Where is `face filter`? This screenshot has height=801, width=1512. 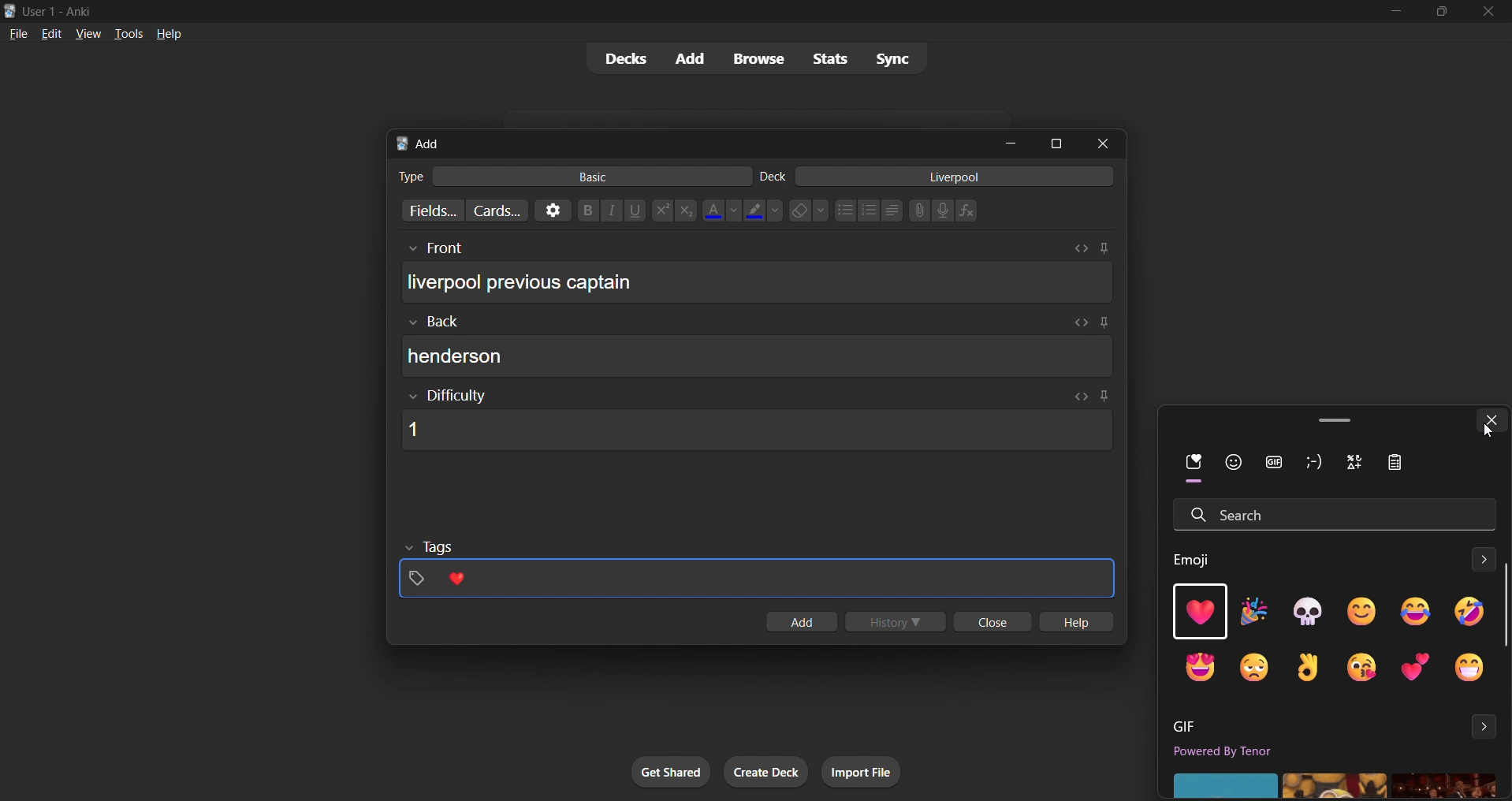 face filter is located at coordinates (1231, 464).